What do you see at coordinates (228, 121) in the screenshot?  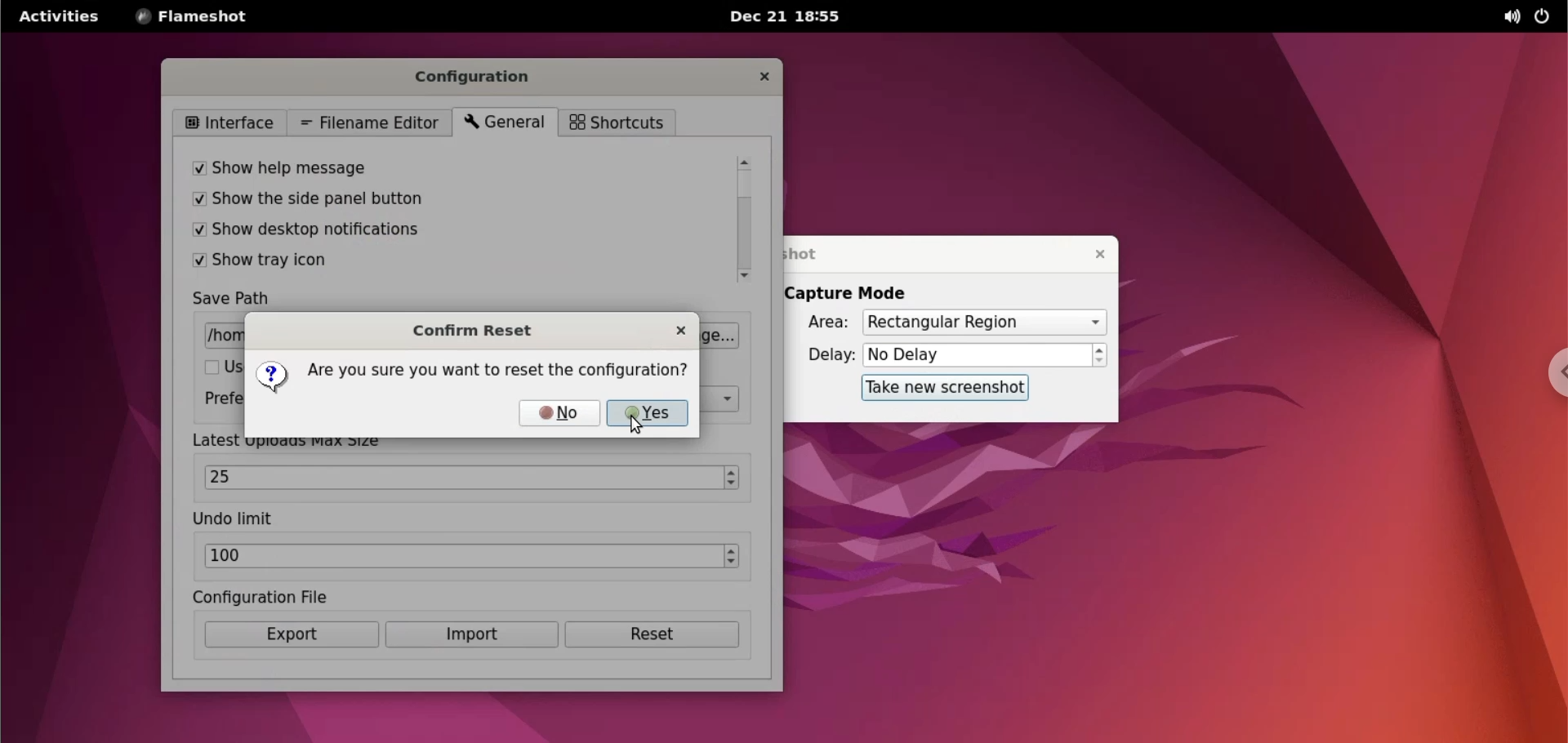 I see `interface ` at bounding box center [228, 121].